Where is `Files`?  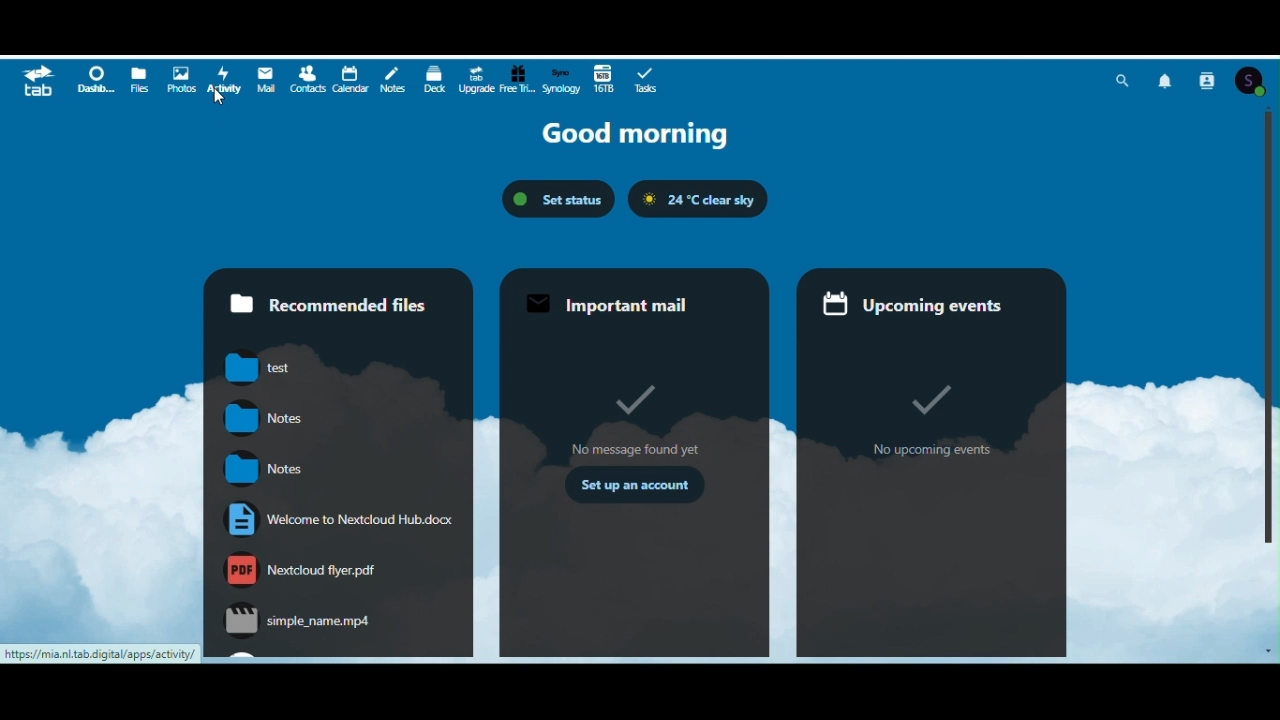
Files is located at coordinates (139, 81).